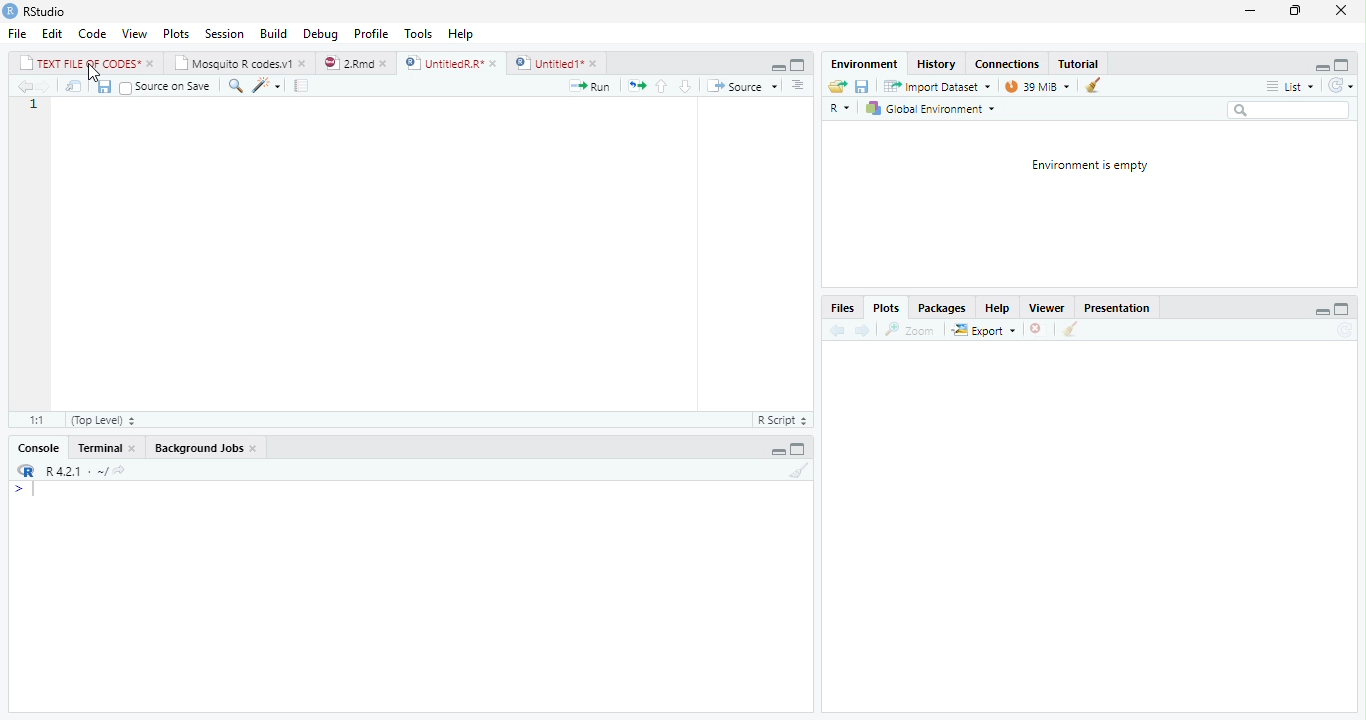 The image size is (1366, 720). Describe the element at coordinates (1007, 64) in the screenshot. I see `Connections` at that location.